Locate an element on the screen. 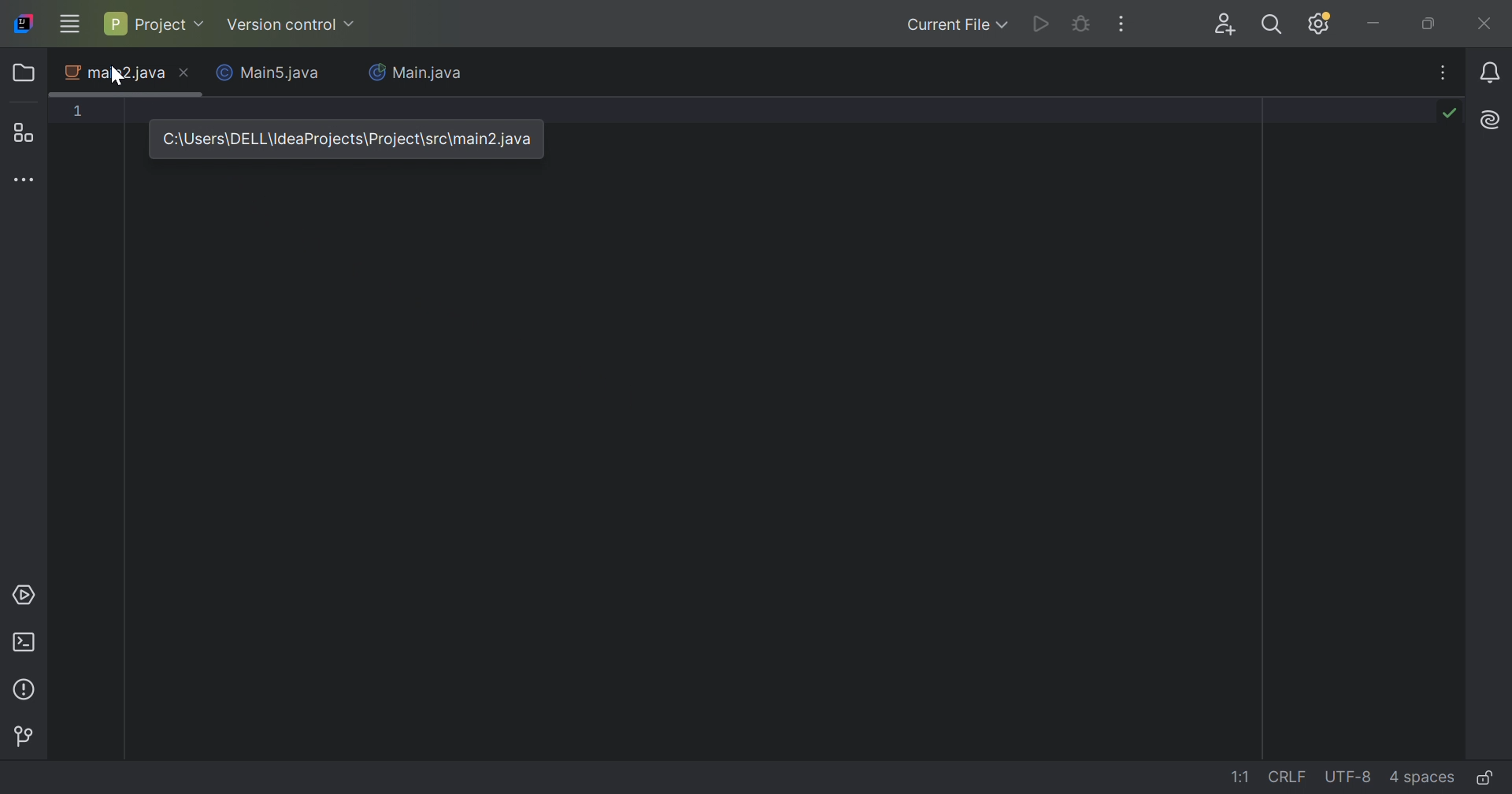 This screenshot has width=1512, height=794. Main menu is located at coordinates (69, 24).